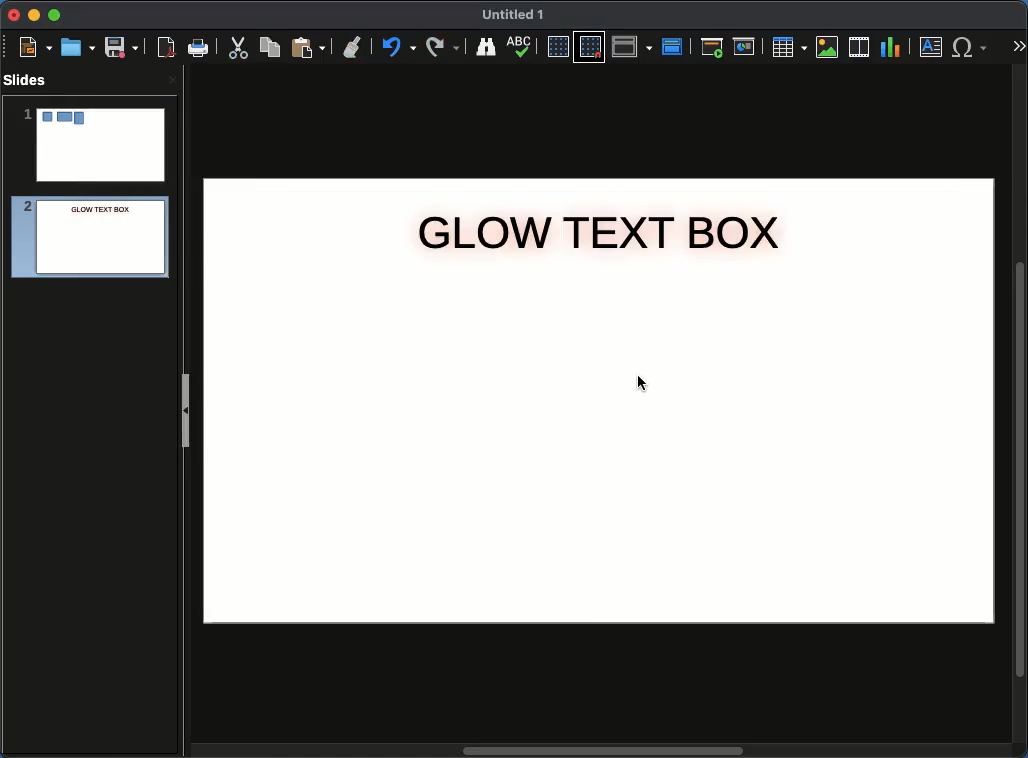 The image size is (1028, 758). I want to click on Paste, so click(308, 46).